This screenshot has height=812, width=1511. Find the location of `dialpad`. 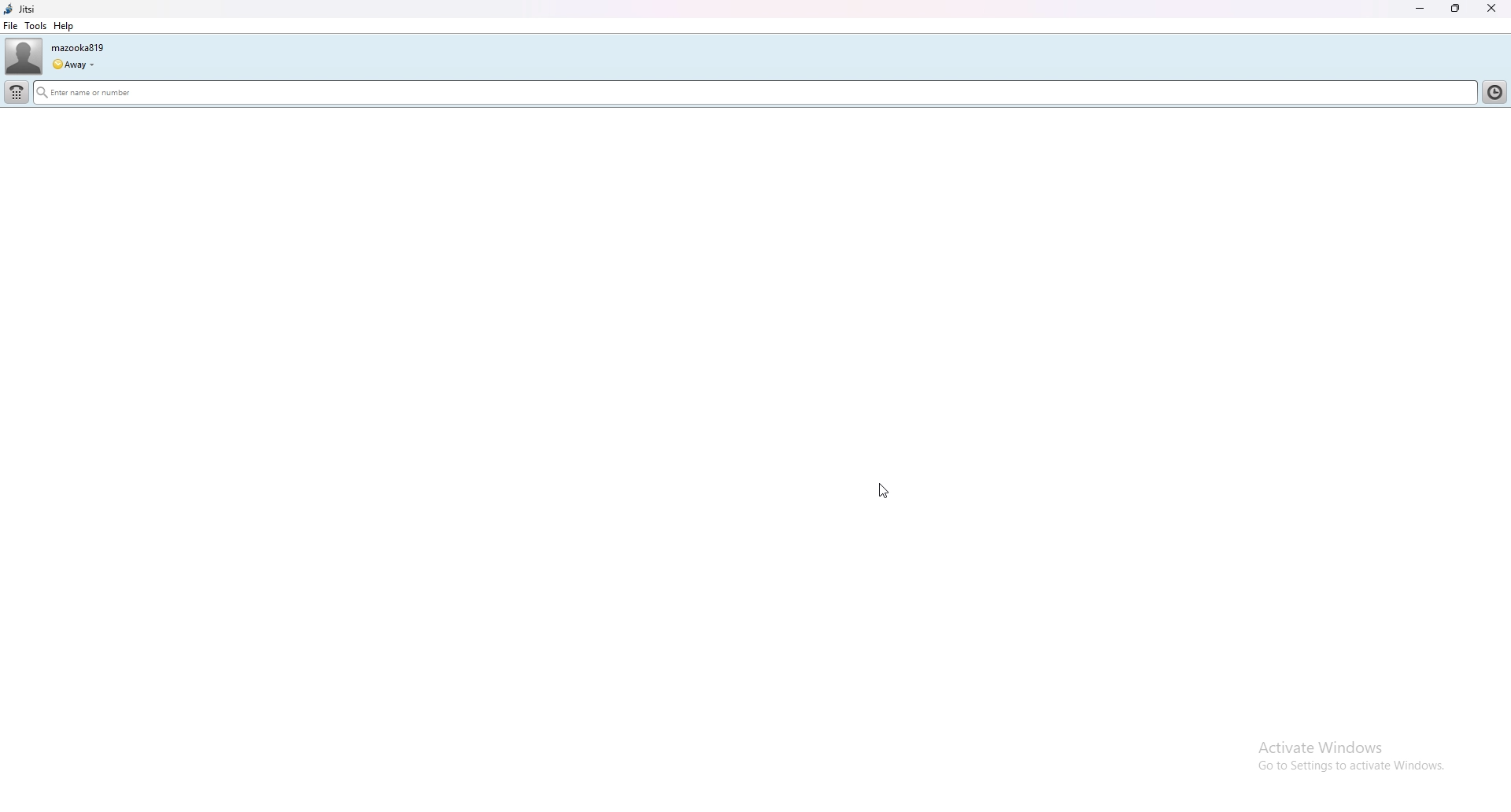

dialpad is located at coordinates (17, 93).